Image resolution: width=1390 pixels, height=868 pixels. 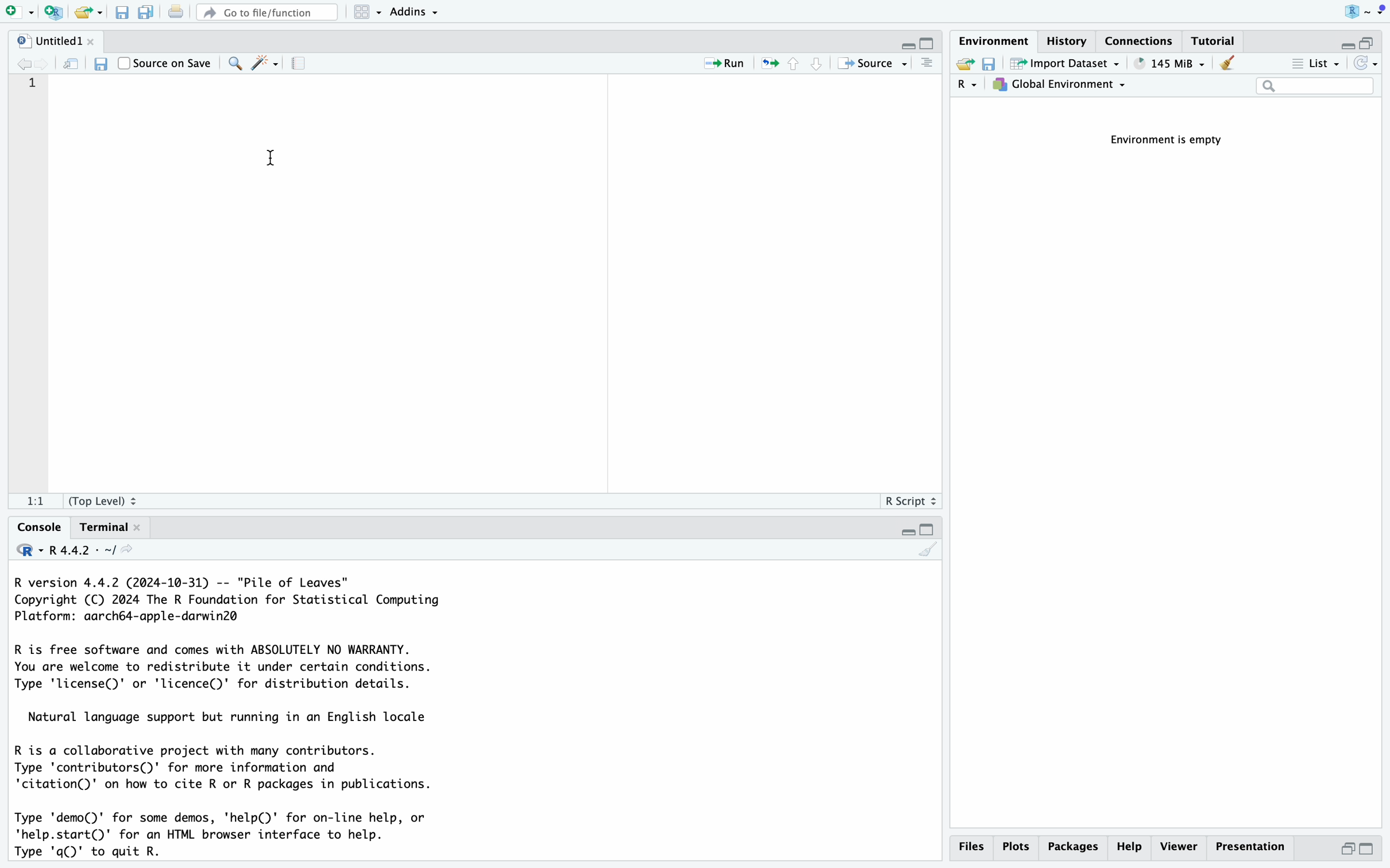 I want to click on dropdown, so click(x=1380, y=10).